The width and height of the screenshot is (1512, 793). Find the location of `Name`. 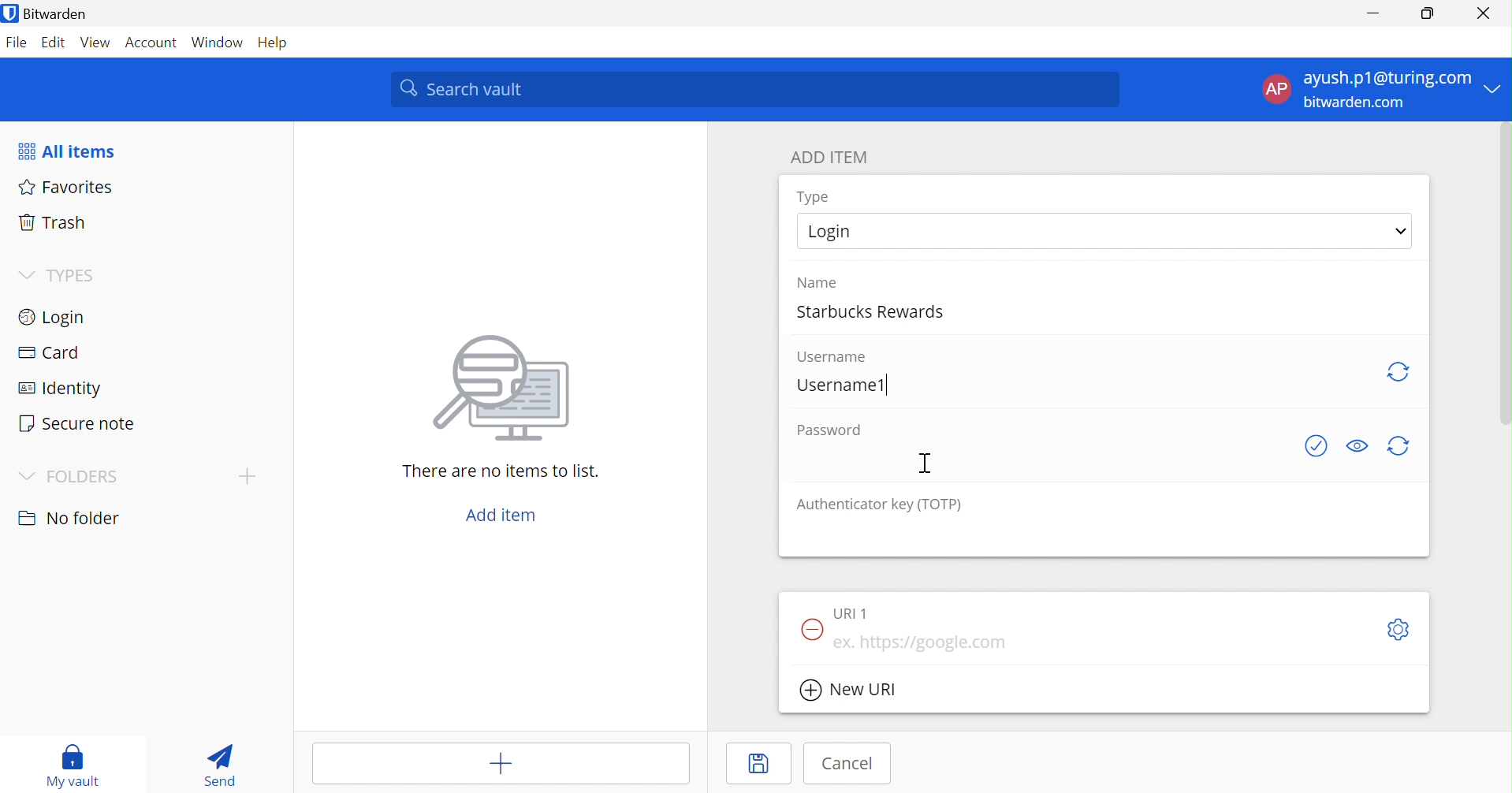

Name is located at coordinates (817, 281).